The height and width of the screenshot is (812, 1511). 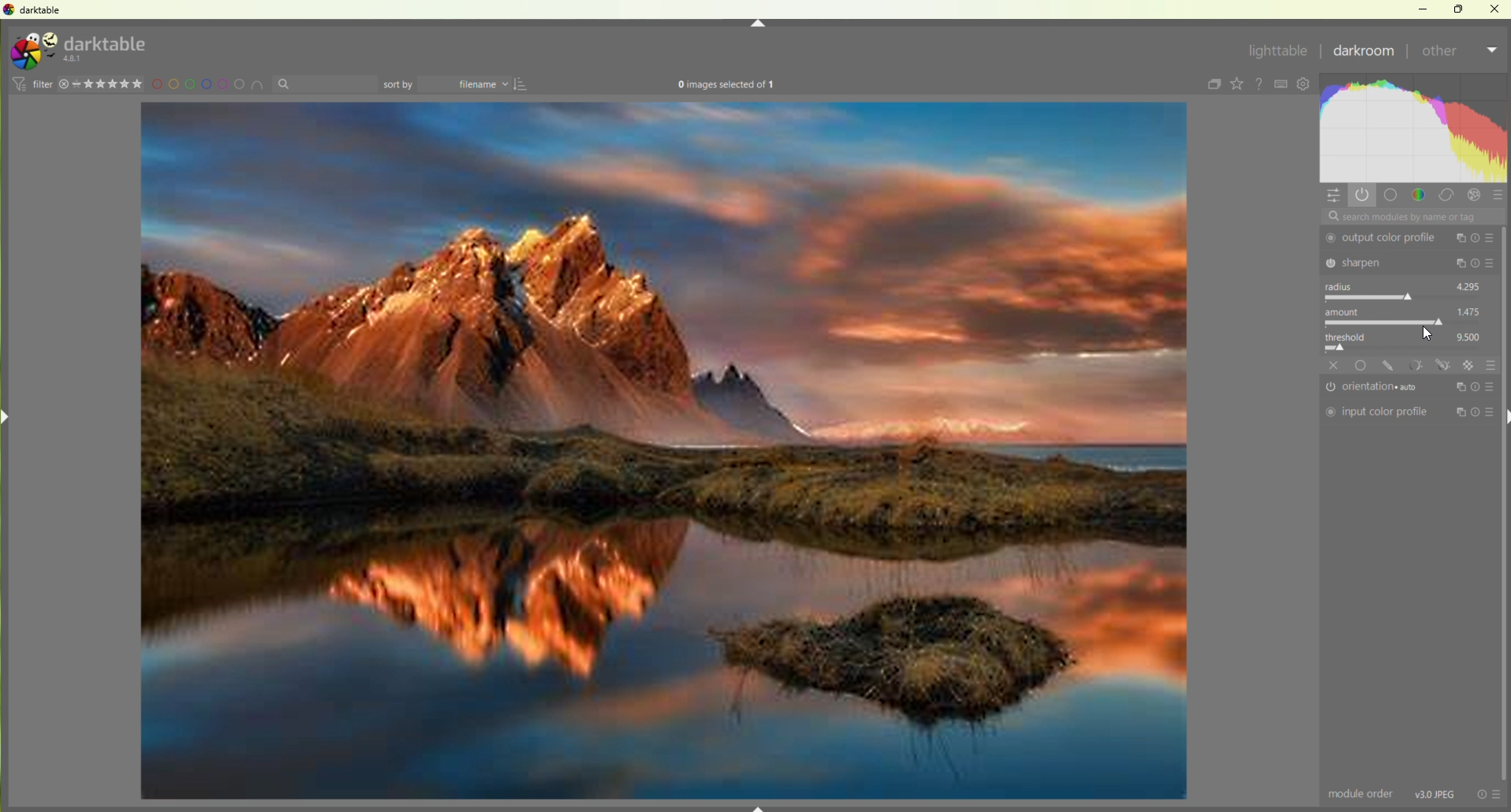 I want to click on Effects, so click(x=1476, y=196).